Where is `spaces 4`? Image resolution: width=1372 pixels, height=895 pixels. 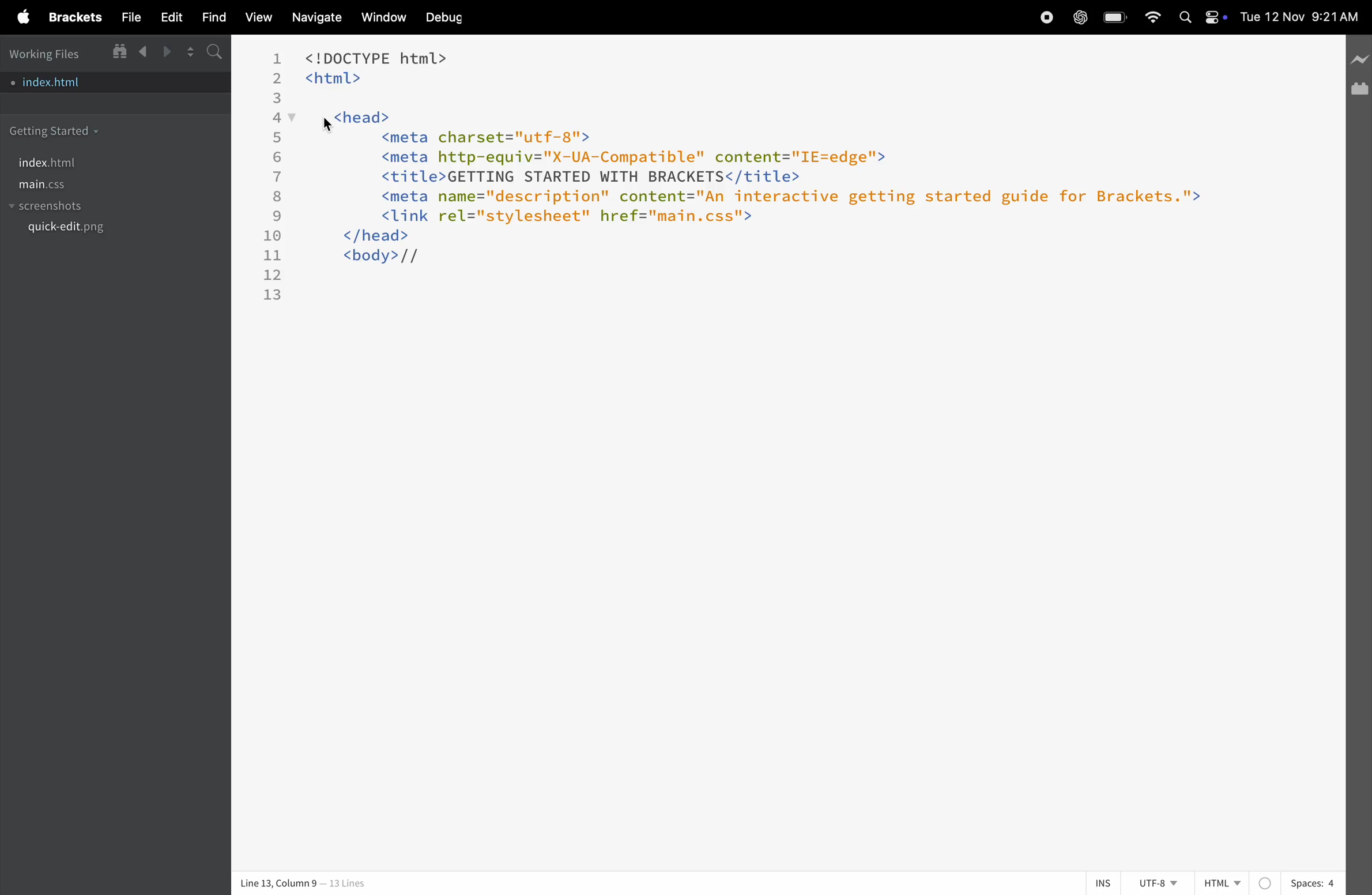 spaces 4 is located at coordinates (1312, 883).